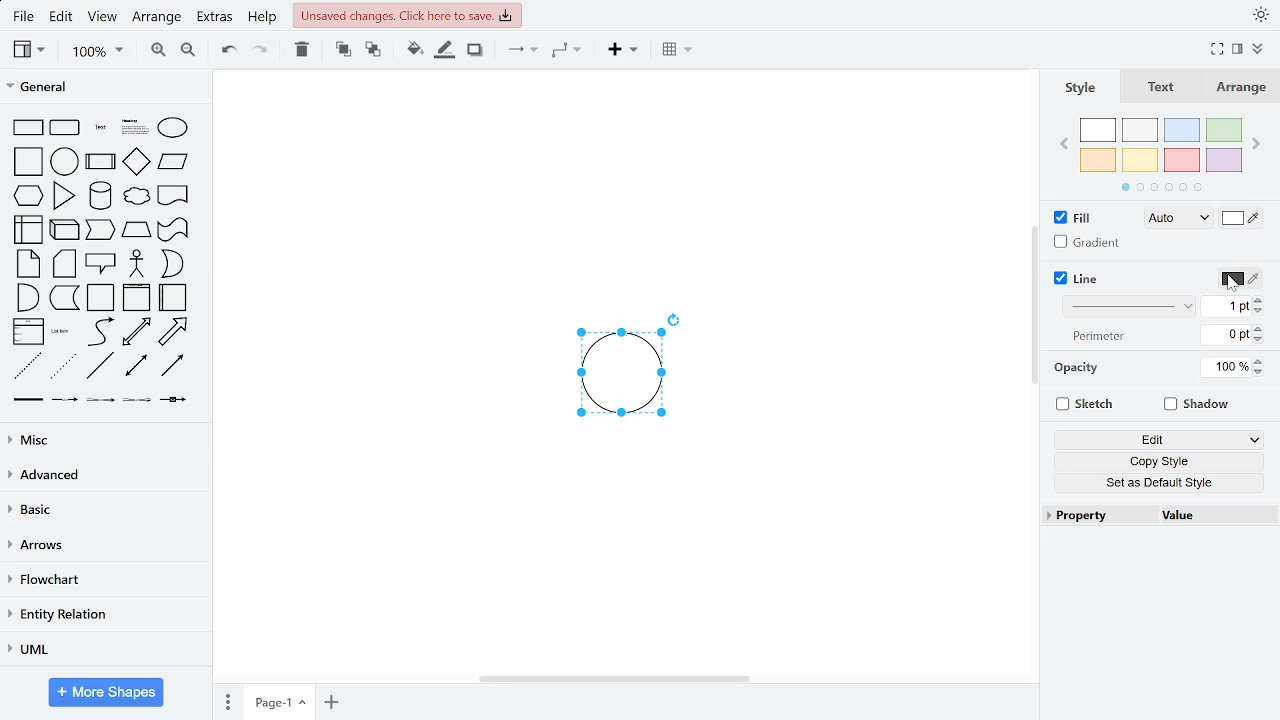 This screenshot has width=1280, height=720. What do you see at coordinates (173, 163) in the screenshot?
I see `parallelogram` at bounding box center [173, 163].